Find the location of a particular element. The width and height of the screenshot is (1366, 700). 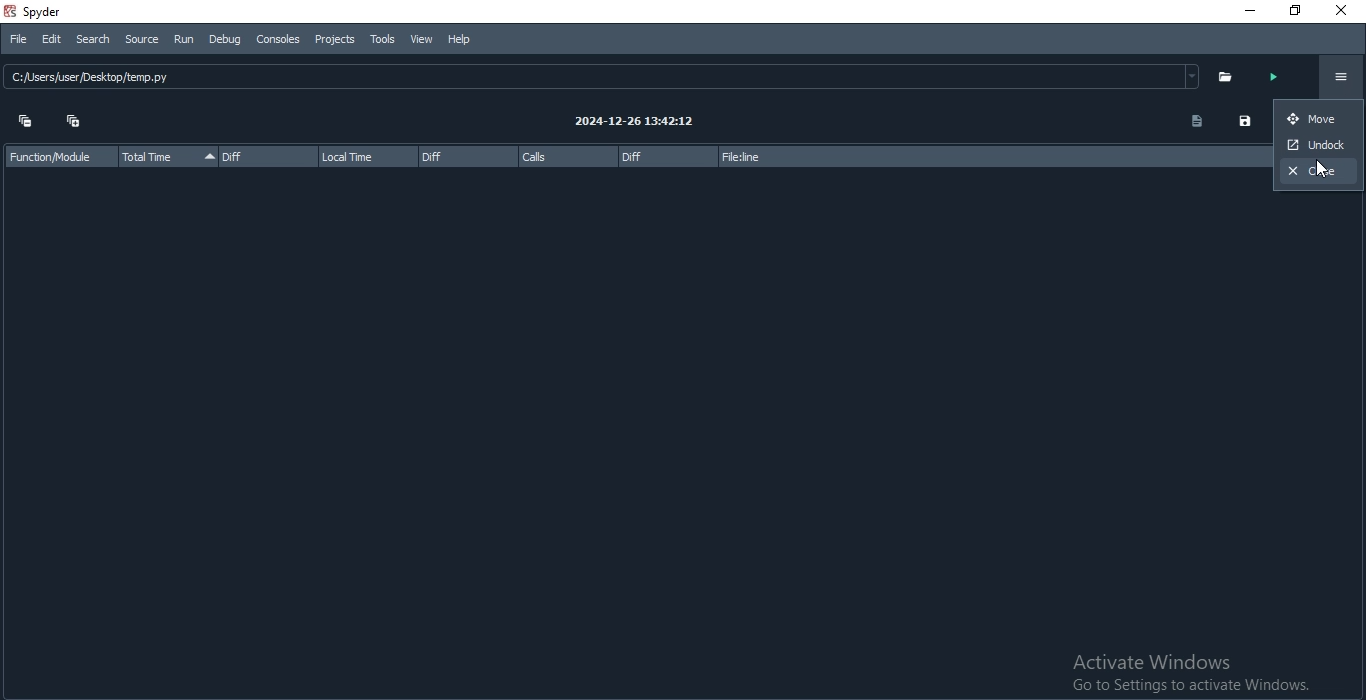

View is located at coordinates (422, 40).